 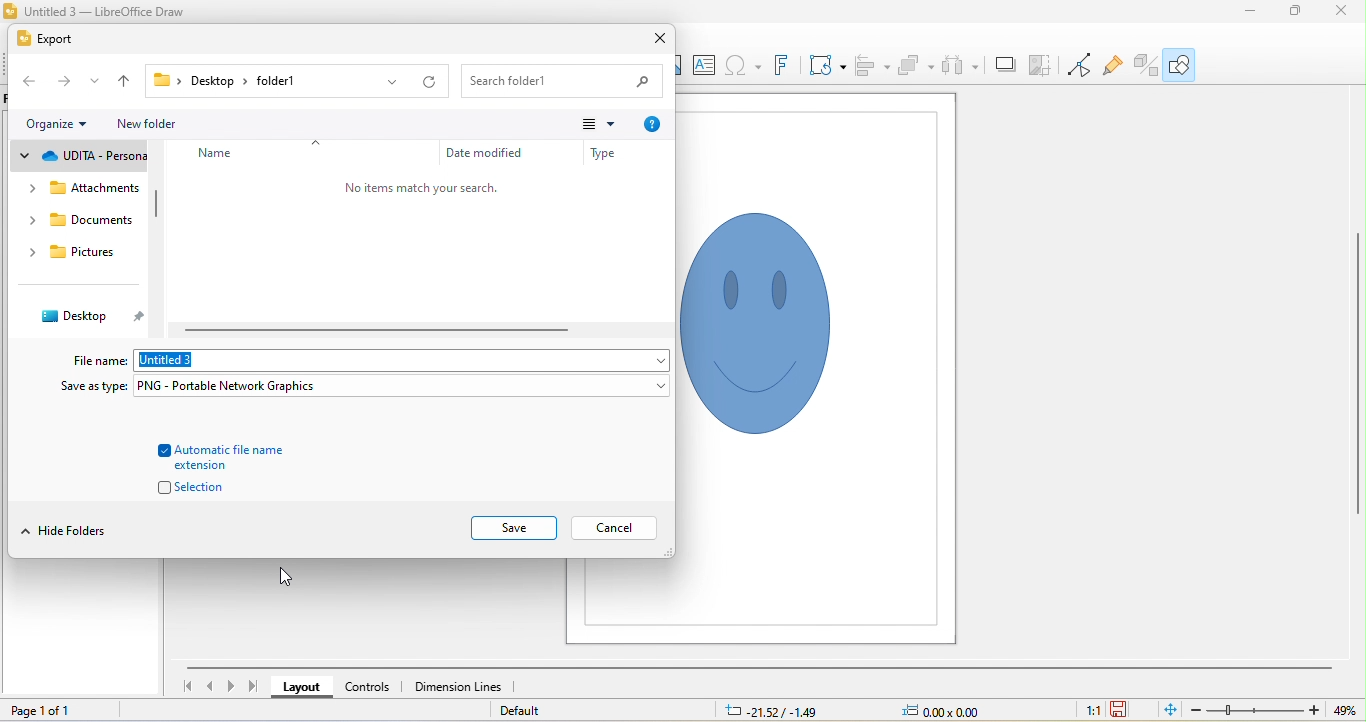 What do you see at coordinates (515, 527) in the screenshot?
I see `save` at bounding box center [515, 527].